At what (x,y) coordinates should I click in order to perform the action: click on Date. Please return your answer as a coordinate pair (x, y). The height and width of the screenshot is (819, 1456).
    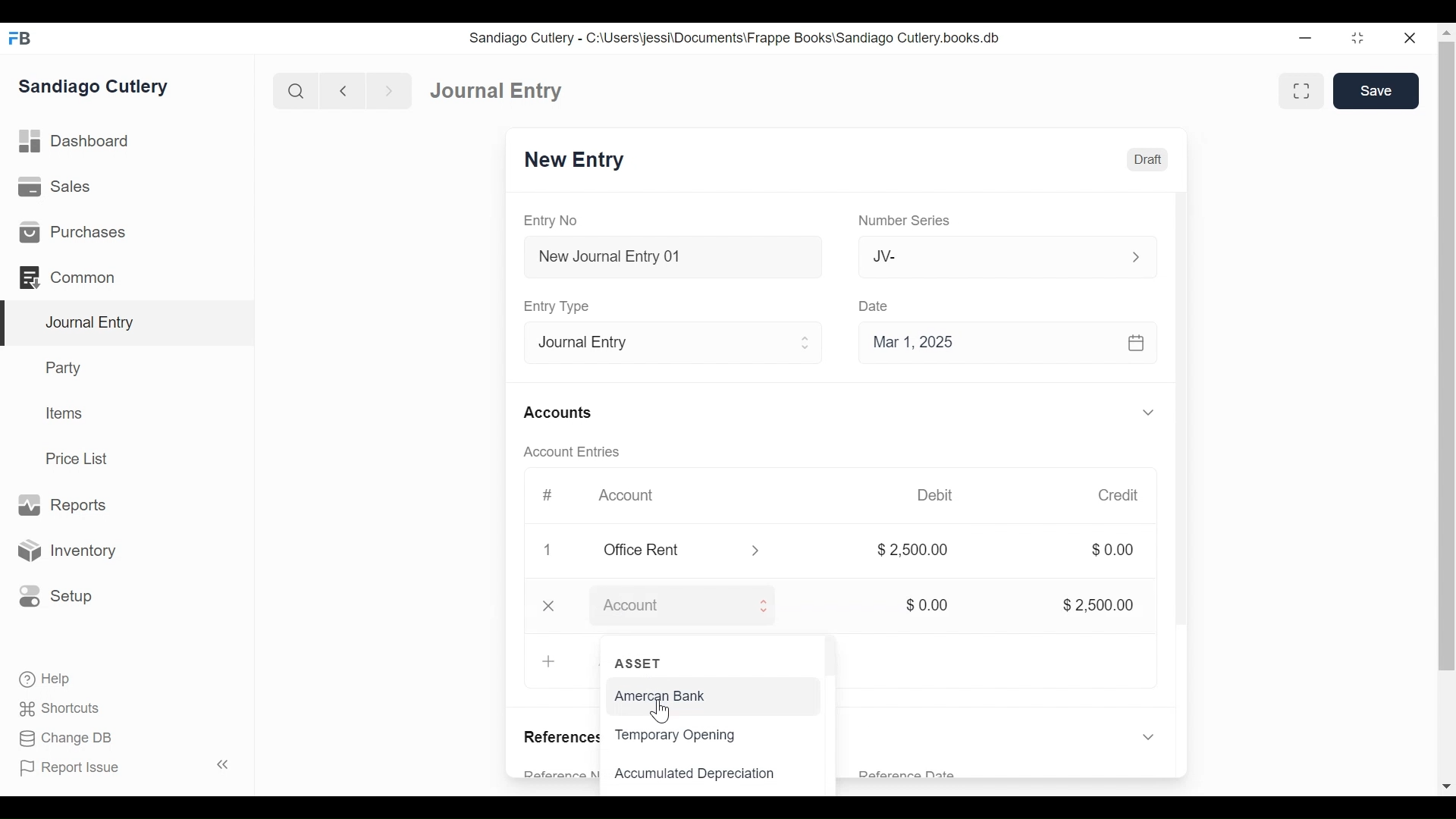
    Looking at the image, I should click on (884, 306).